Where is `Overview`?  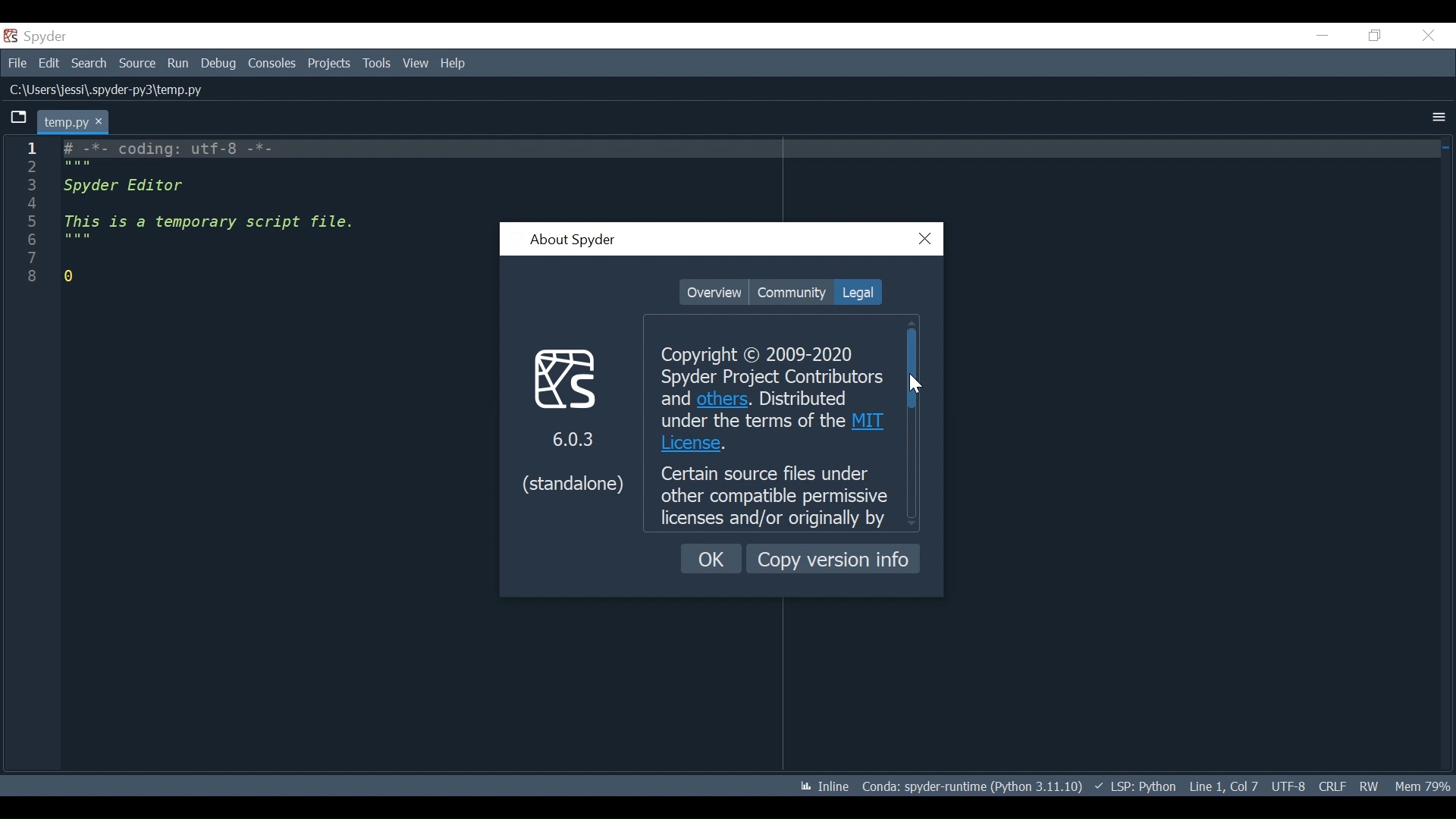
Overview is located at coordinates (714, 293).